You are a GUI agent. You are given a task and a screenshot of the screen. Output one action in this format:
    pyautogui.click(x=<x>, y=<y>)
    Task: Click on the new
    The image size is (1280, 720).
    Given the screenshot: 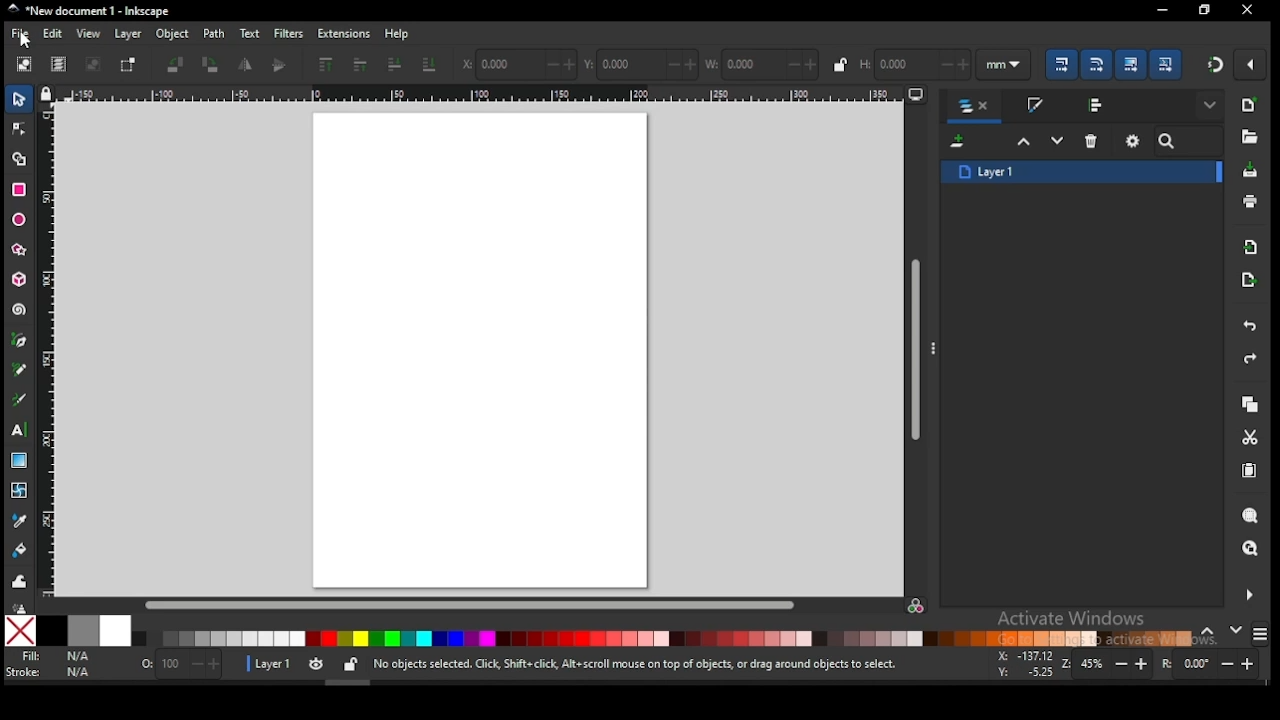 What is the action you would take?
    pyautogui.click(x=1248, y=105)
    